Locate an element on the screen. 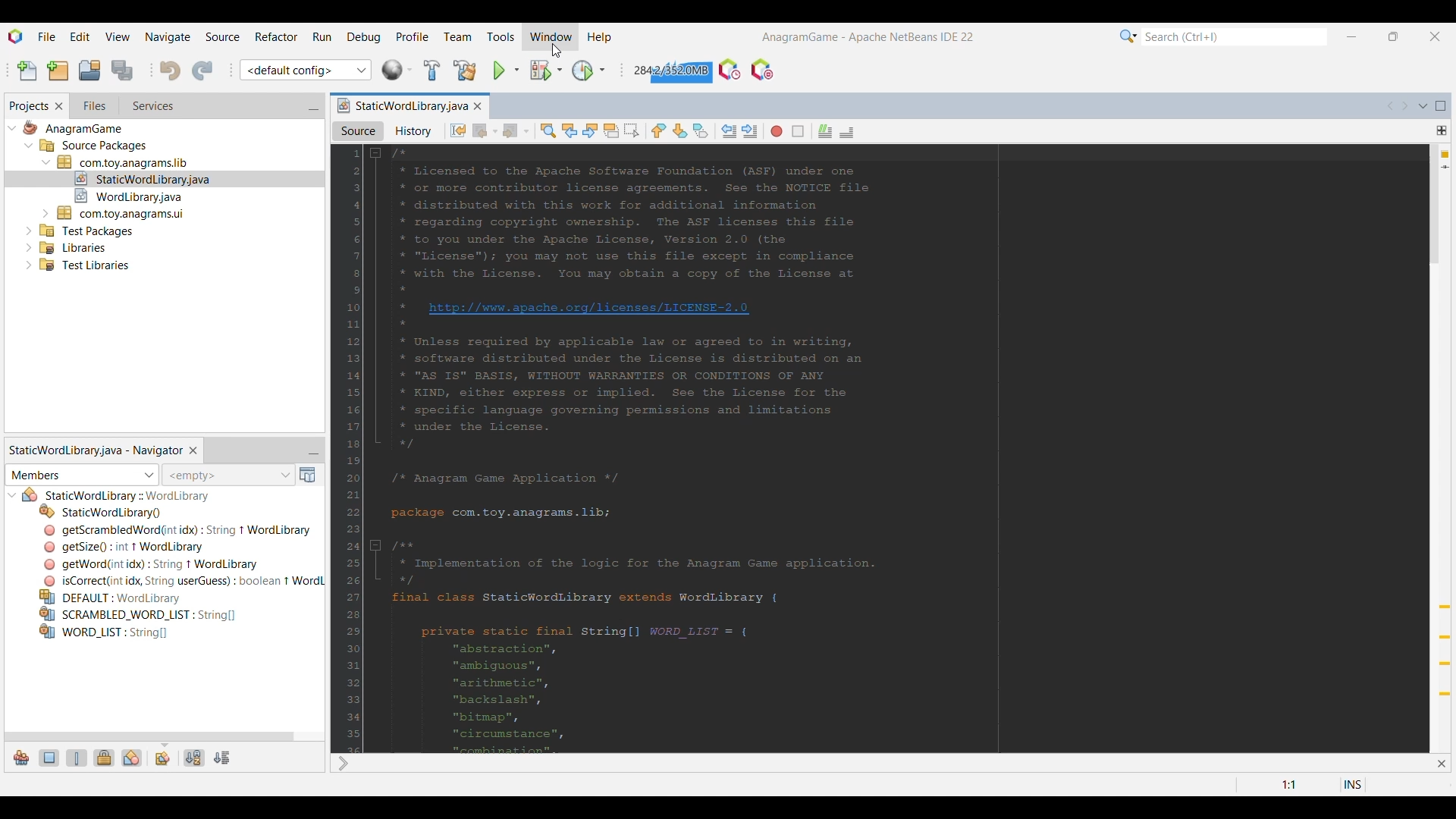 Image resolution: width=1456 pixels, height=819 pixels. Profile menu is located at coordinates (413, 36).